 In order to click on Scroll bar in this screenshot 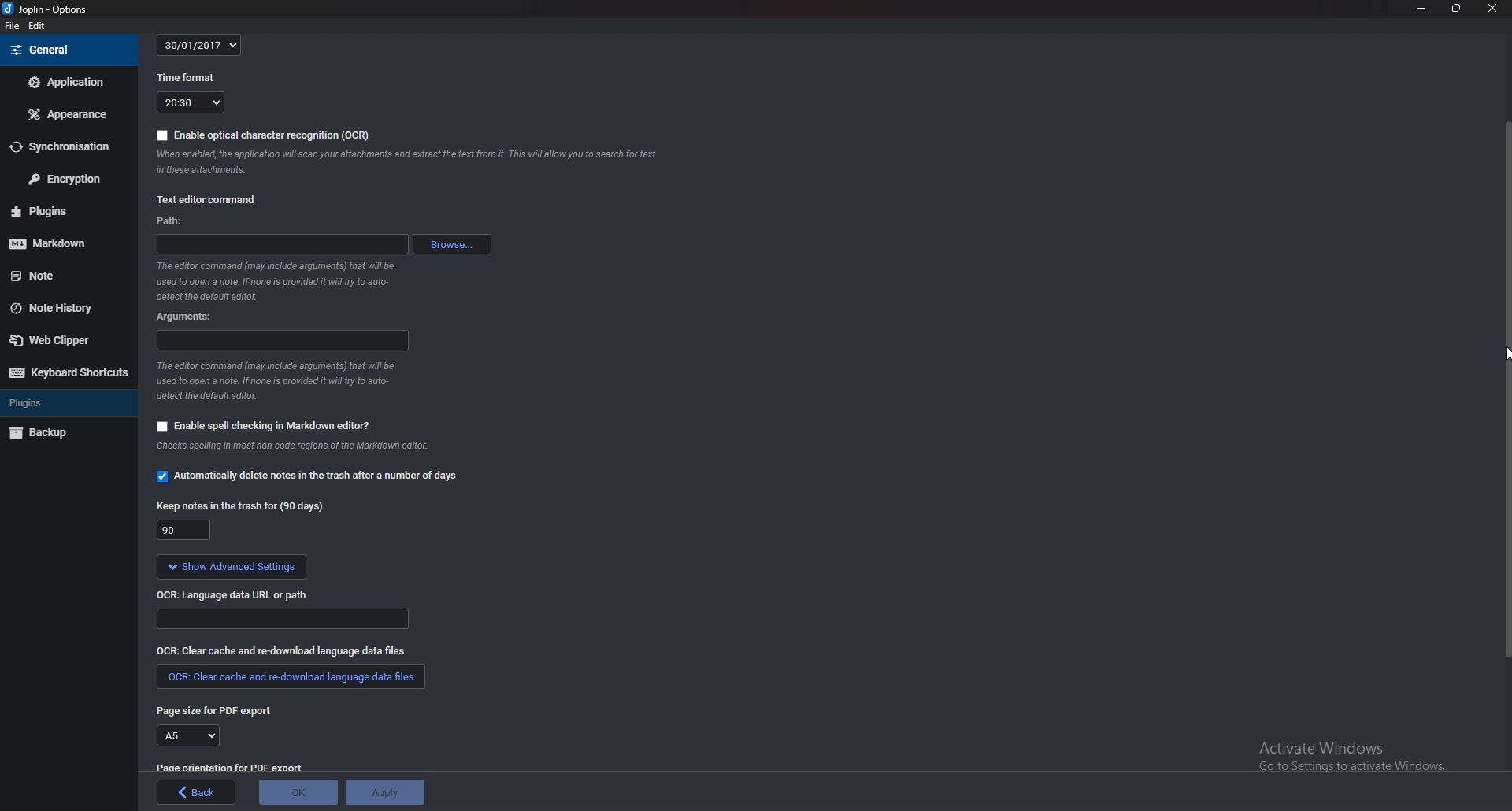, I will do `click(1503, 396)`.